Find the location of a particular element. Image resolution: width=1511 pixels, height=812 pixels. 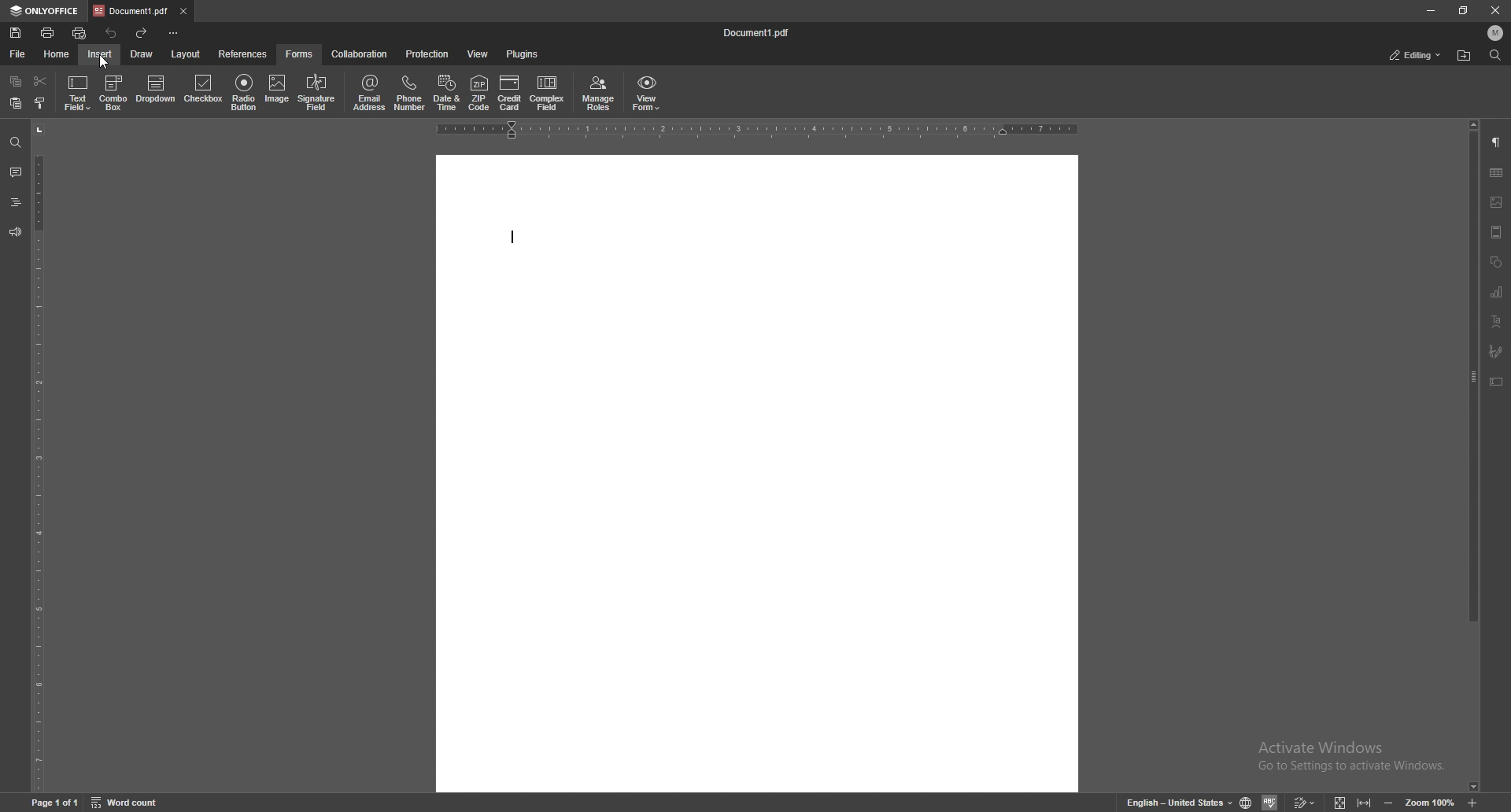

collaboration is located at coordinates (359, 54).